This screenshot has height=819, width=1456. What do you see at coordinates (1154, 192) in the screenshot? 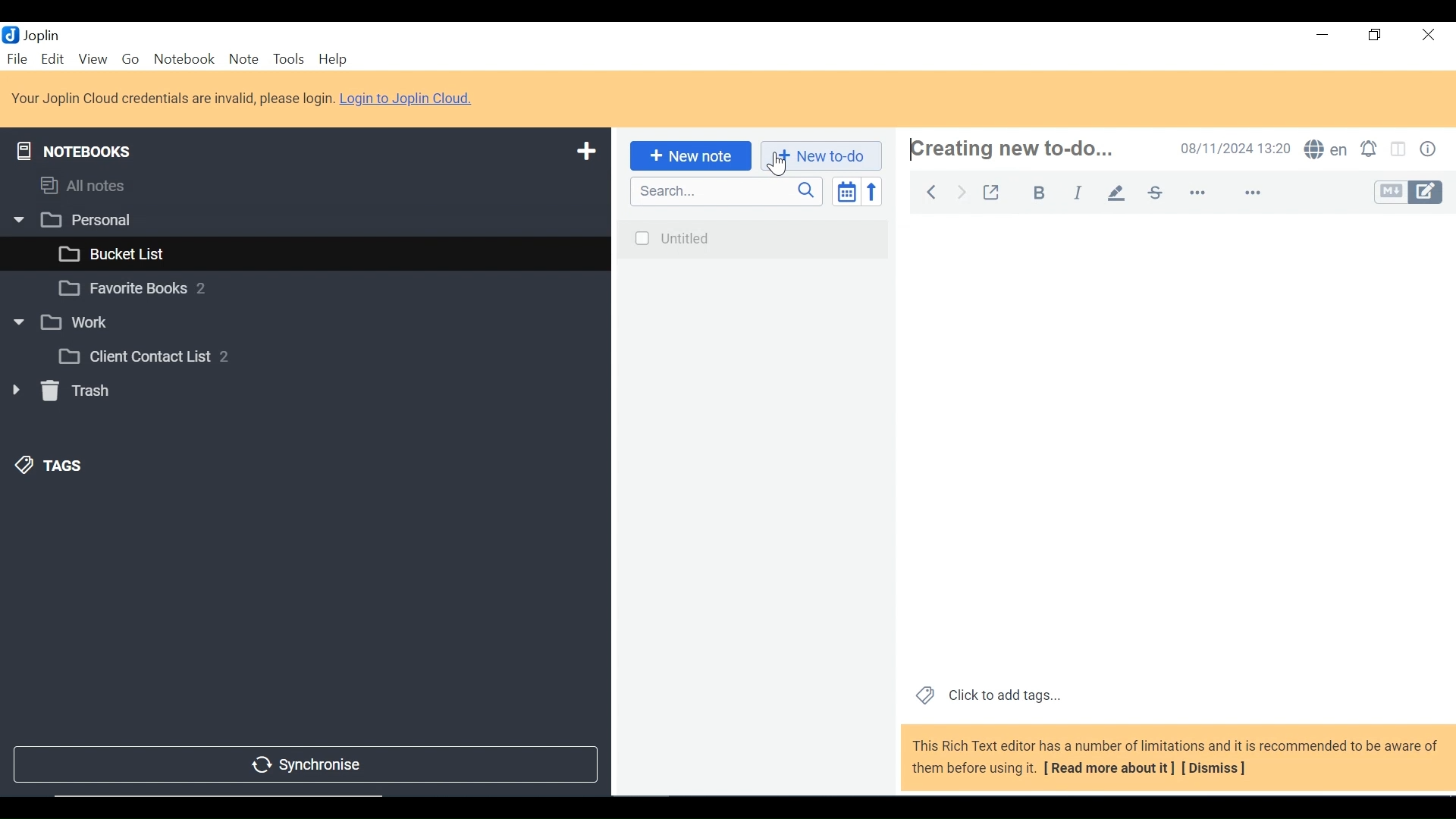
I see `Strikethrough` at bounding box center [1154, 192].